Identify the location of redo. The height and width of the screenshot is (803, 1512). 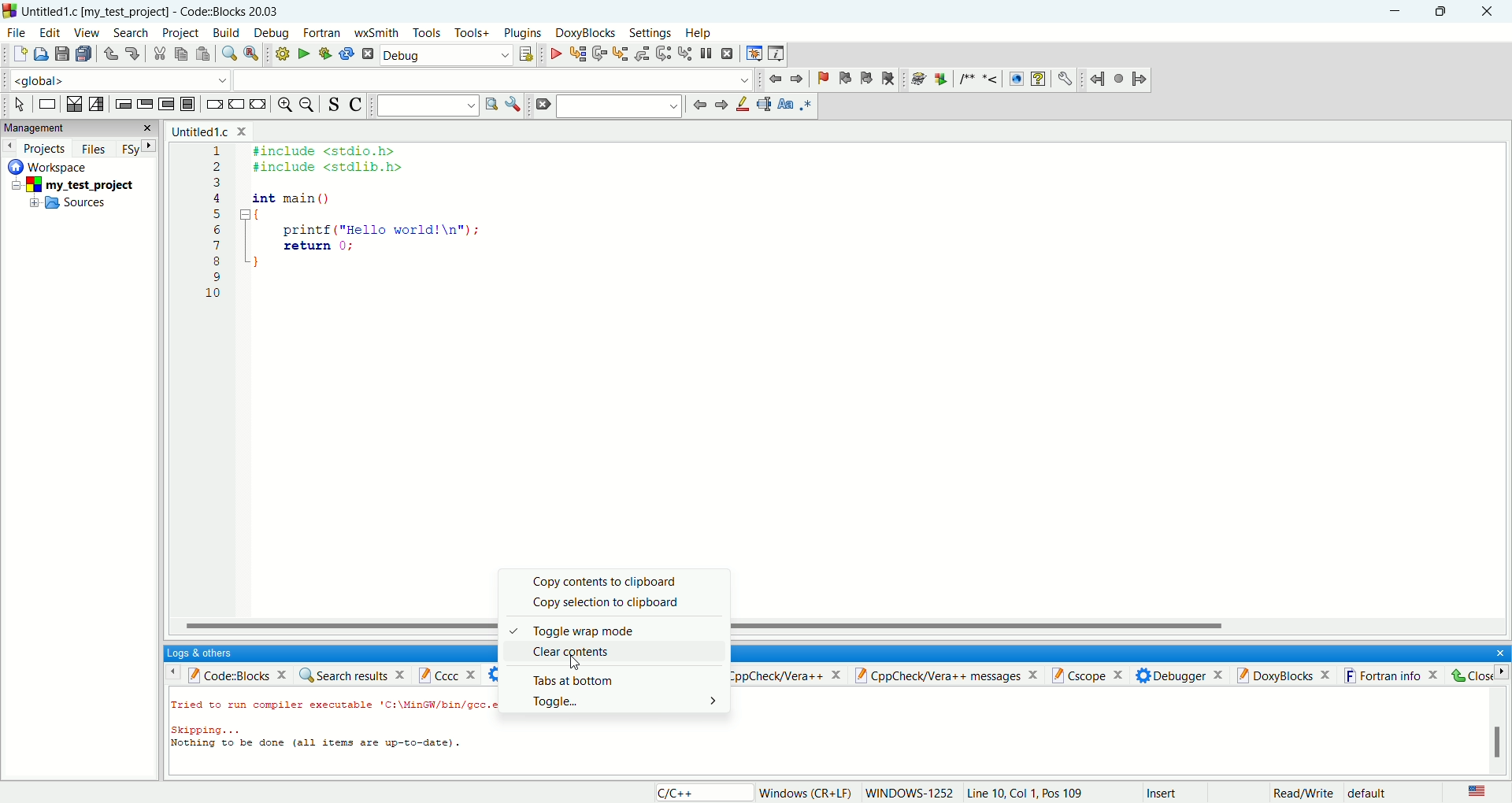
(128, 52).